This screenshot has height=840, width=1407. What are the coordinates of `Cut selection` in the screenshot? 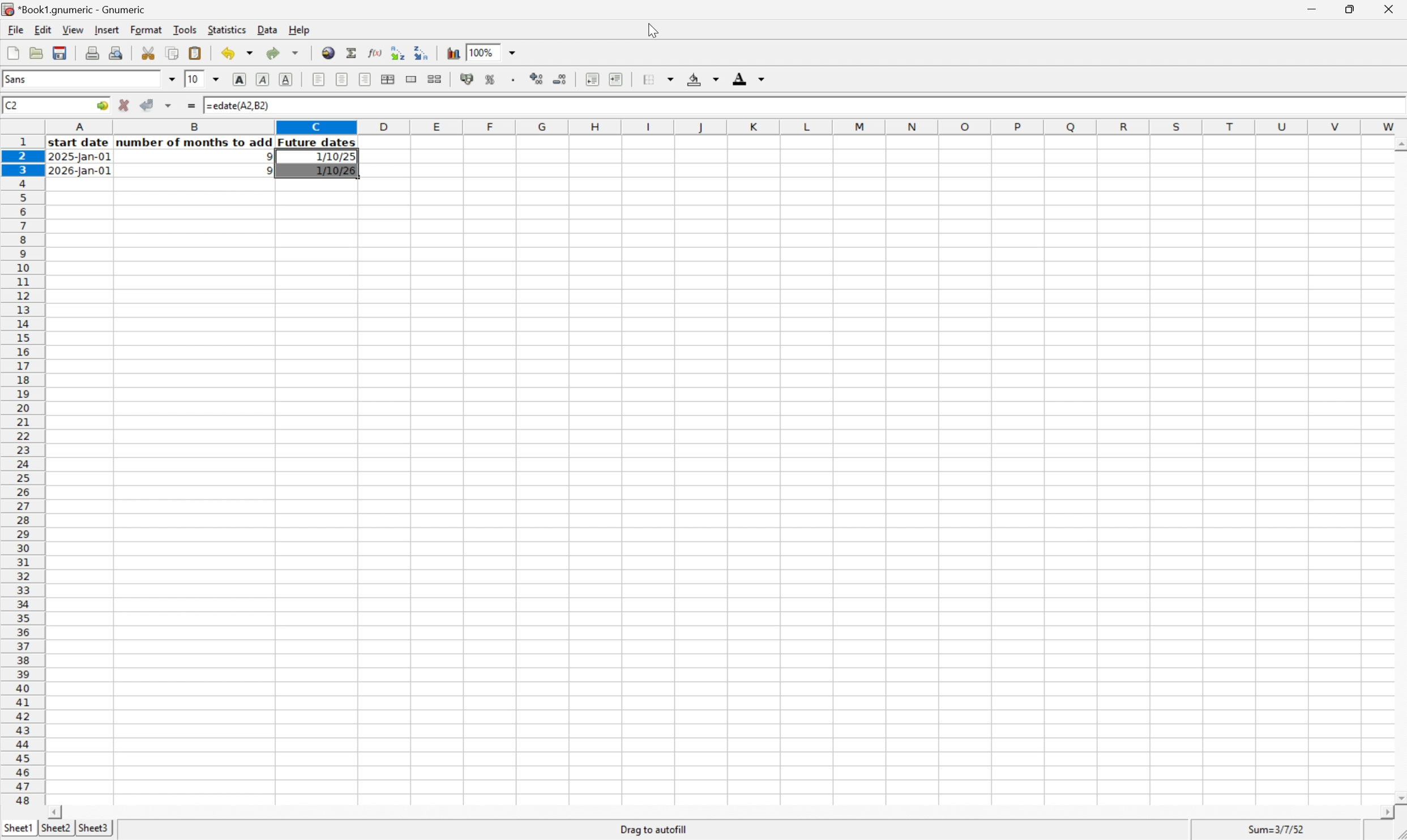 It's located at (149, 52).